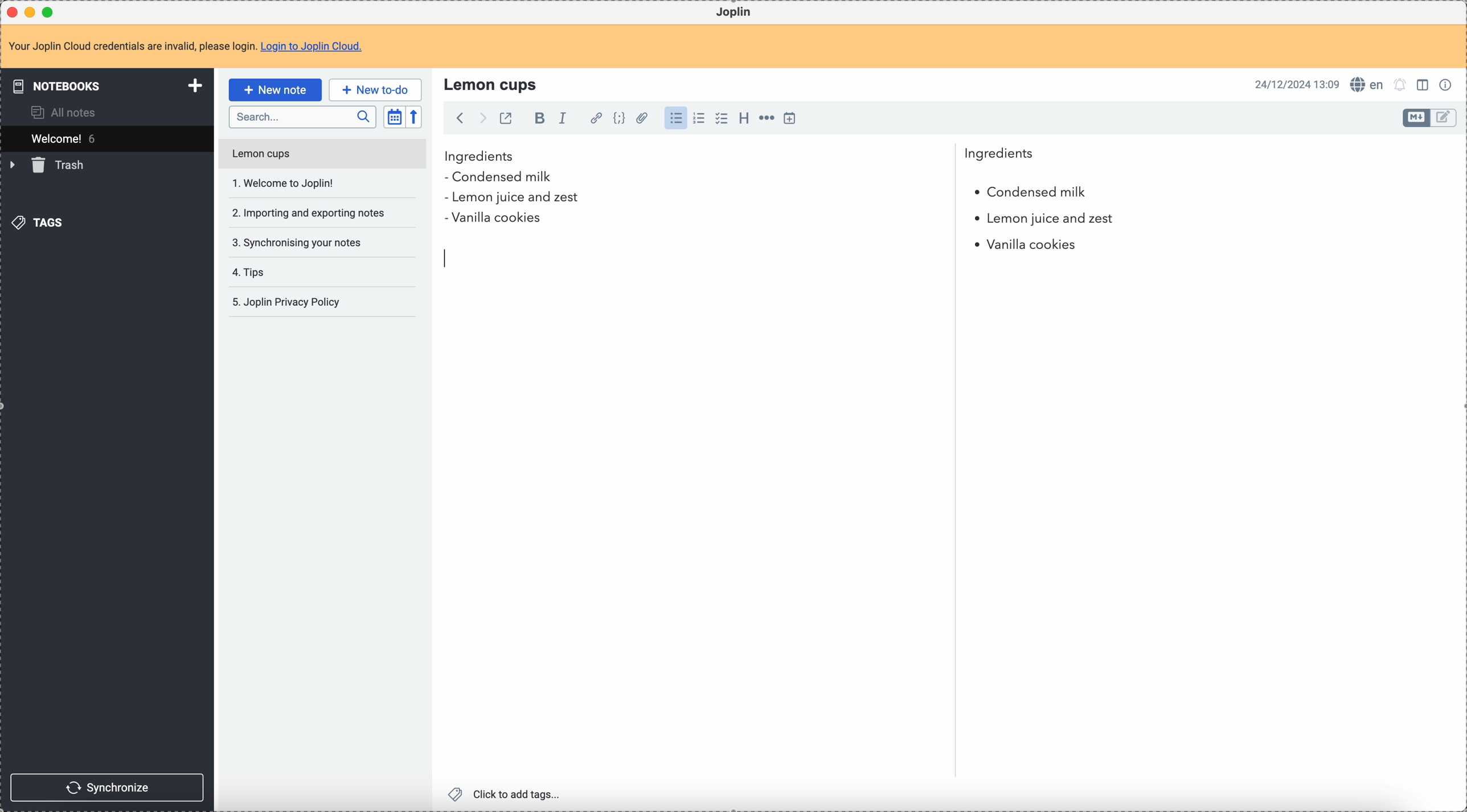 The height and width of the screenshot is (812, 1467). Describe the element at coordinates (1448, 84) in the screenshot. I see `note properties` at that location.